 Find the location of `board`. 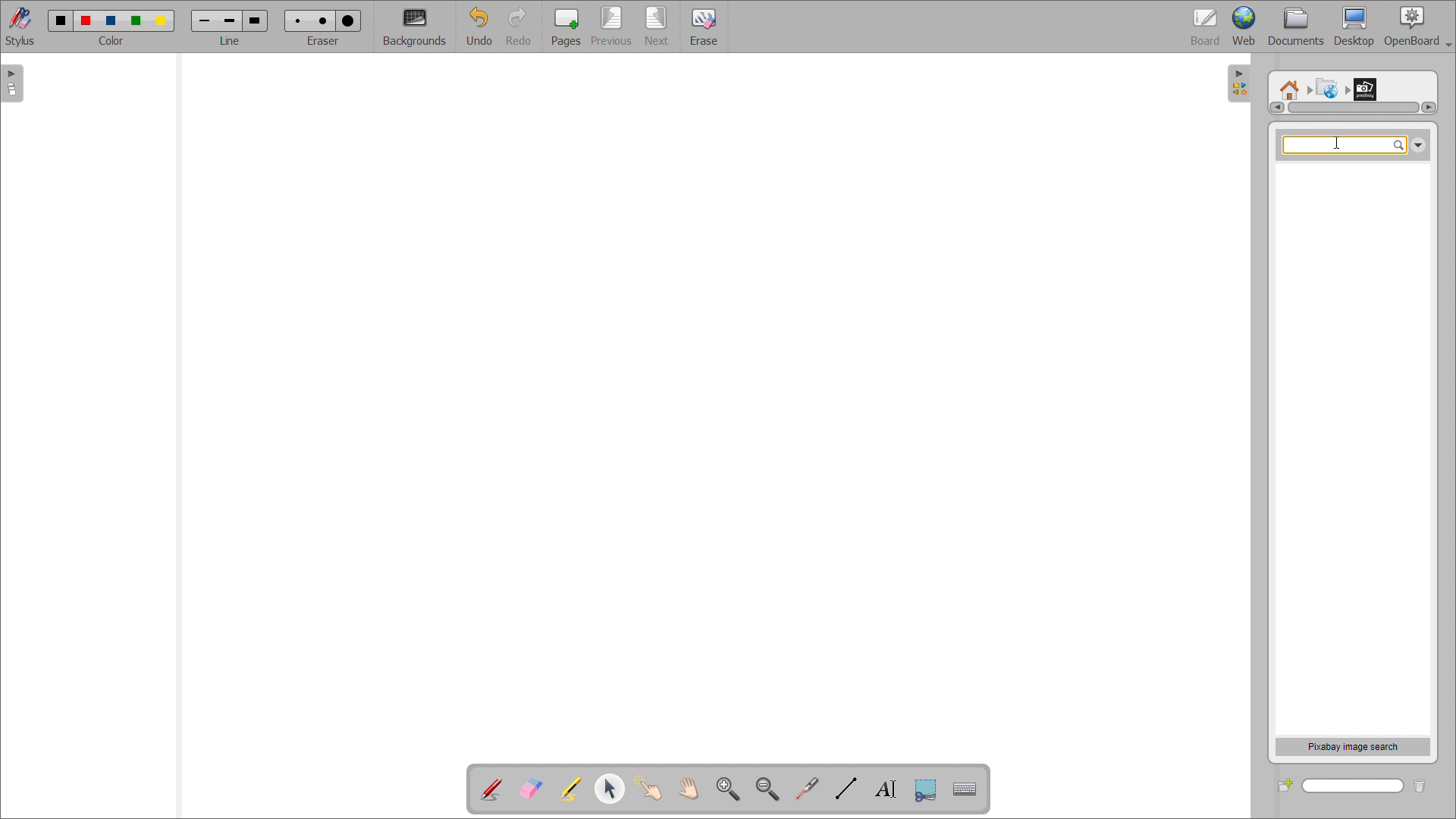

board is located at coordinates (1206, 27).